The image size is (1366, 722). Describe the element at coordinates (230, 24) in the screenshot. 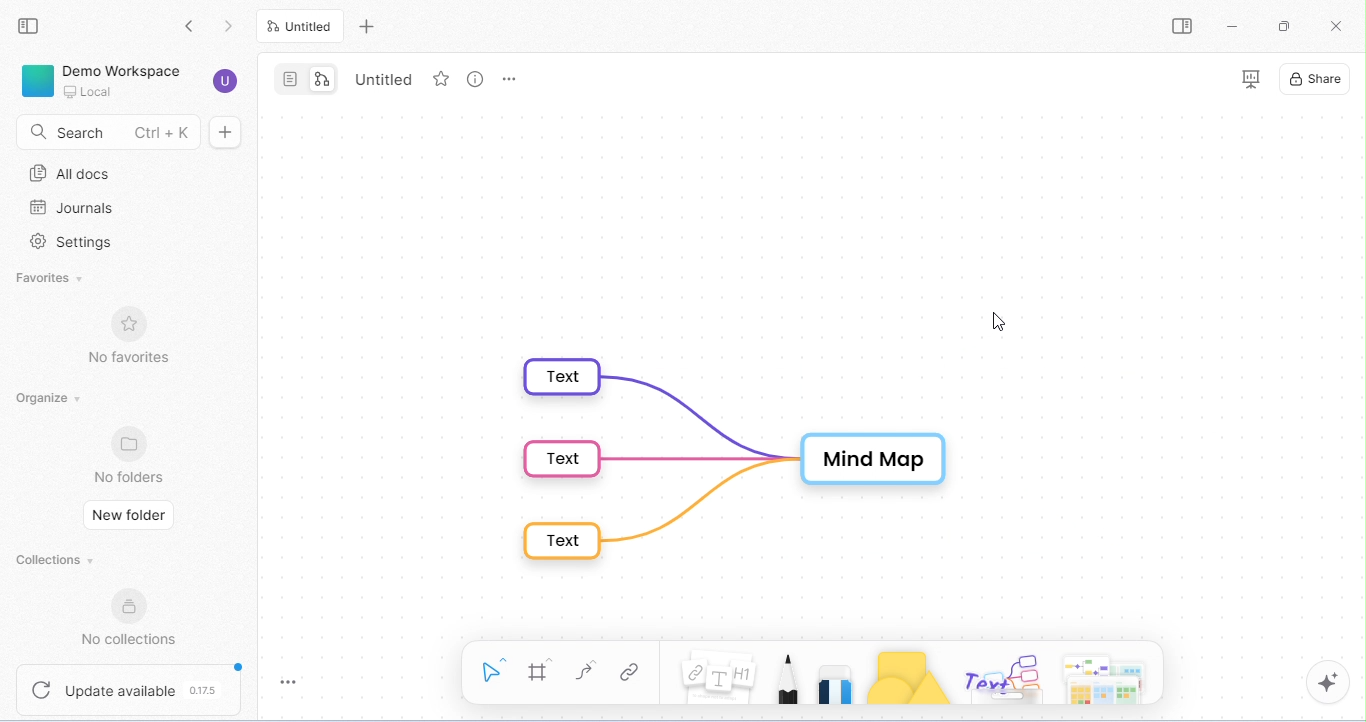

I see `go forward` at that location.